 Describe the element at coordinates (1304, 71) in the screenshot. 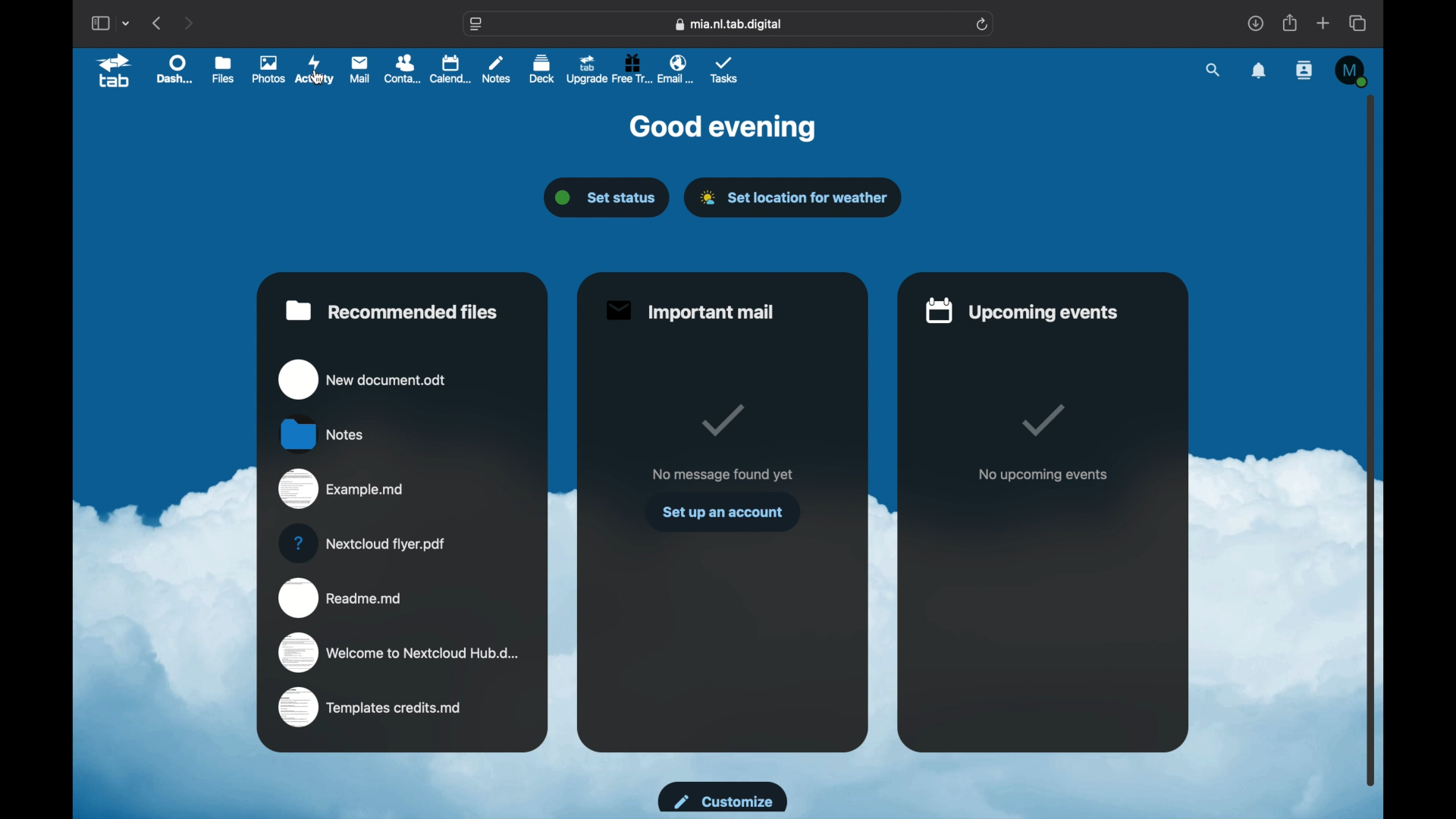

I see `contacts` at that location.